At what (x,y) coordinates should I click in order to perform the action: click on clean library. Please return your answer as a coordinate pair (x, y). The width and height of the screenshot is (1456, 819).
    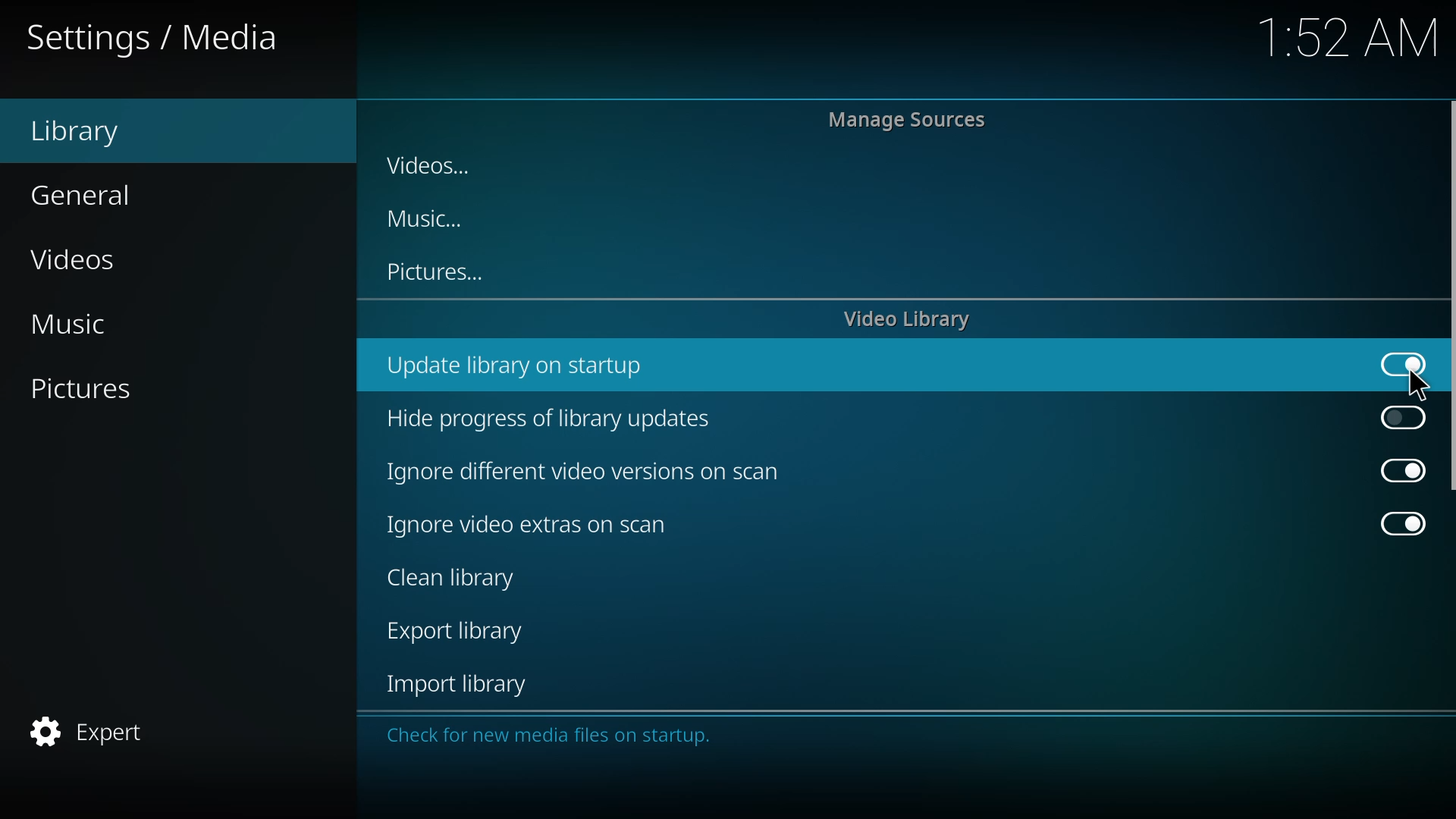
    Looking at the image, I should click on (460, 578).